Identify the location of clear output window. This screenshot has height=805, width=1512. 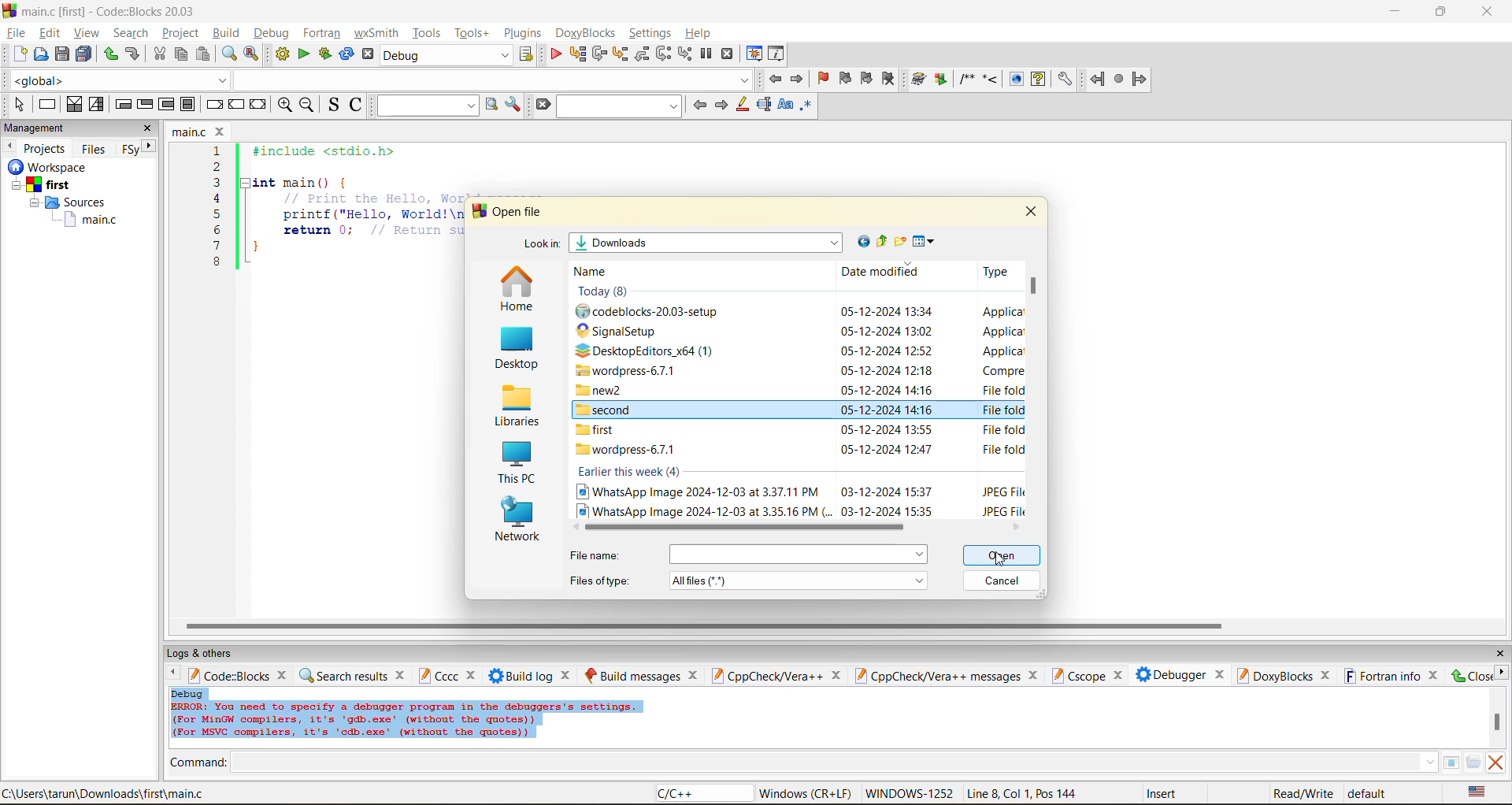
(1495, 762).